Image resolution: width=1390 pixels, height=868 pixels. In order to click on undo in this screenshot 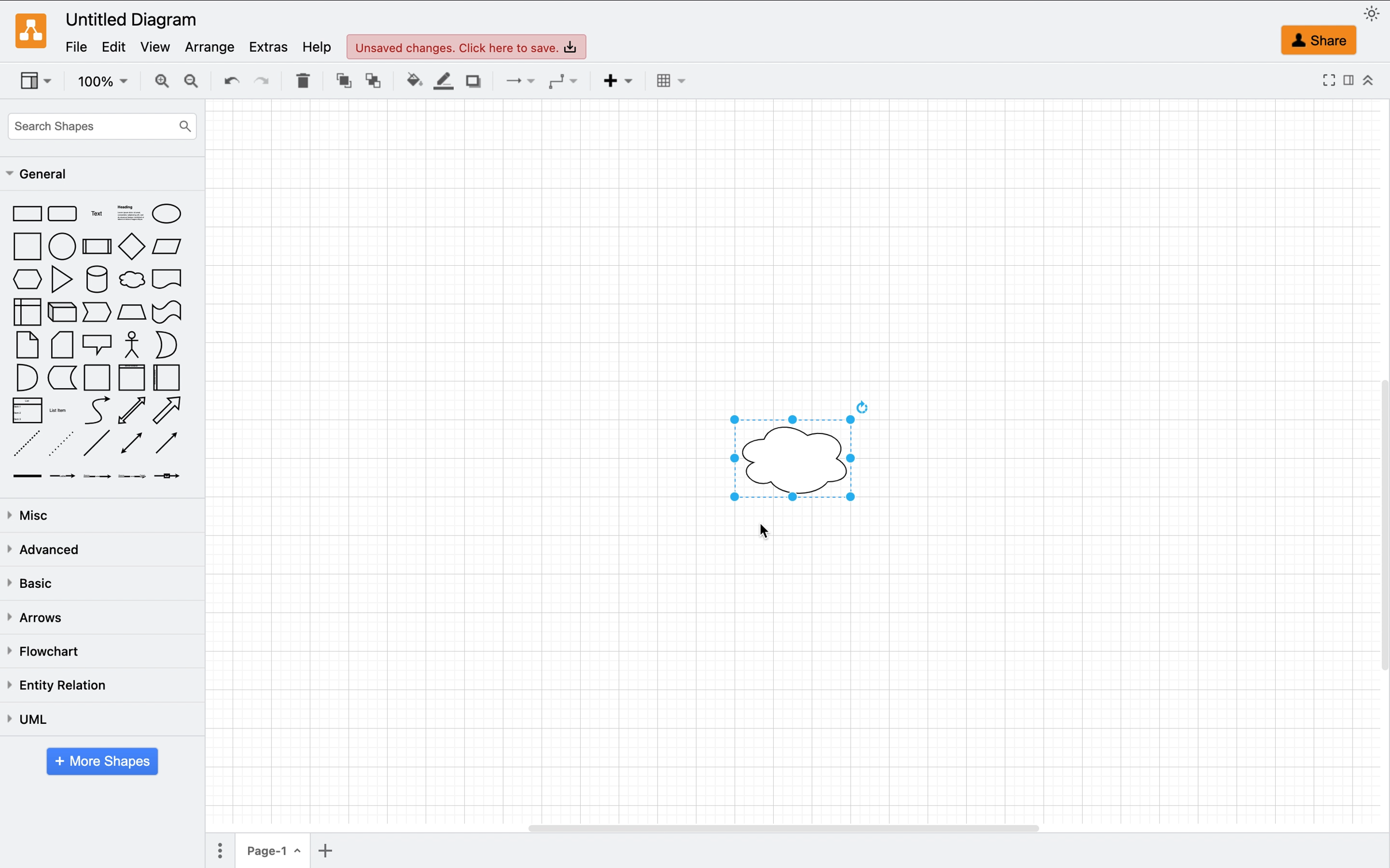, I will do `click(226, 80)`.